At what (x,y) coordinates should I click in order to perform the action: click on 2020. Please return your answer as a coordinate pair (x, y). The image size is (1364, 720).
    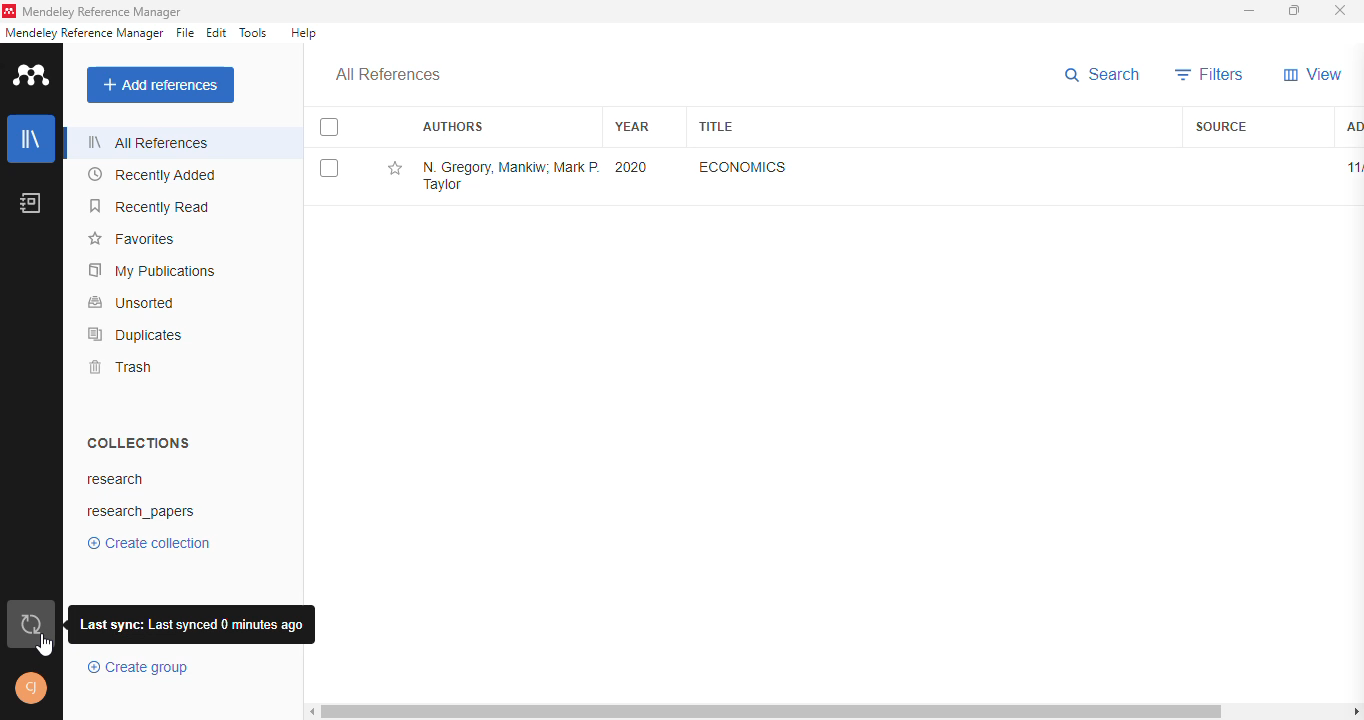
    Looking at the image, I should click on (632, 167).